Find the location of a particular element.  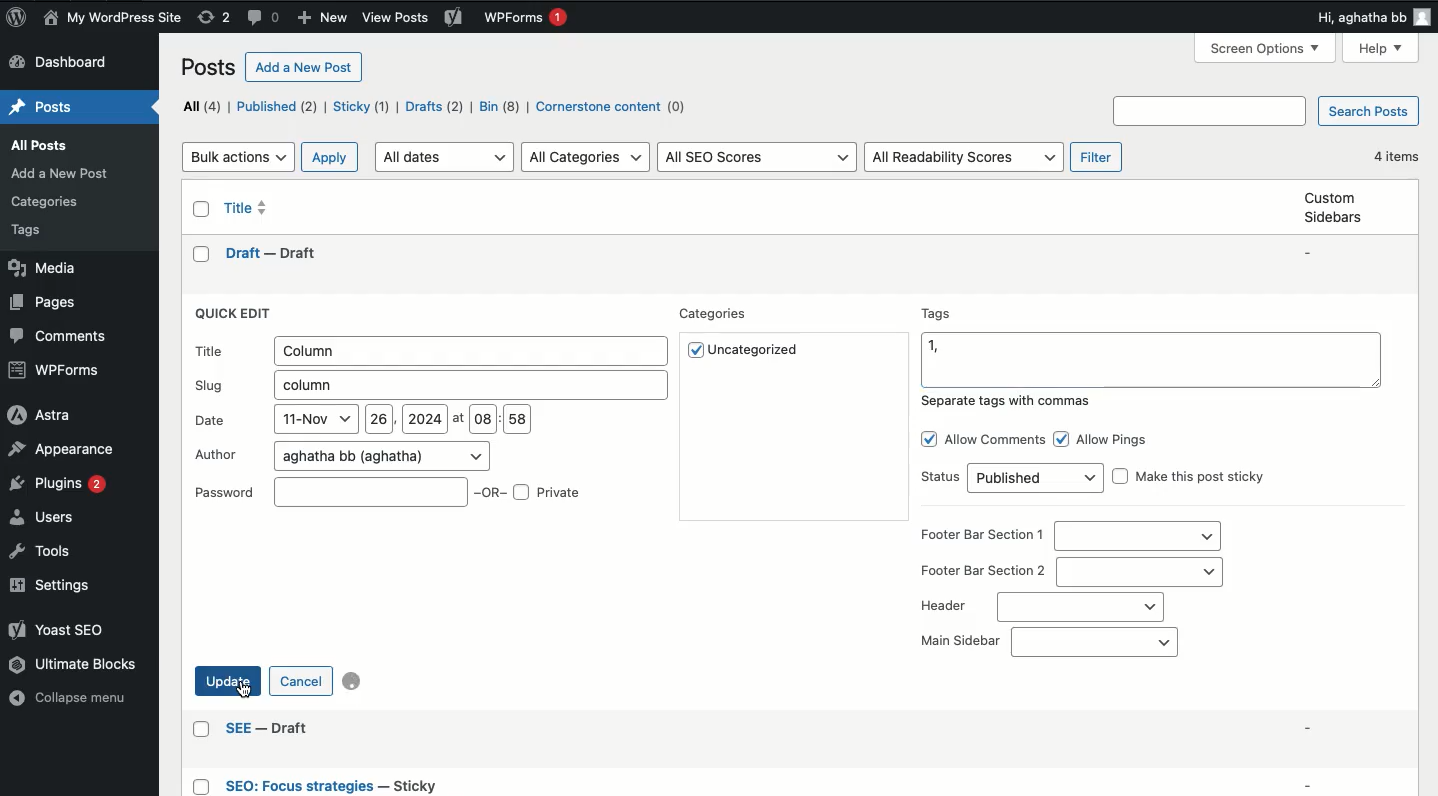

WPForms is located at coordinates (528, 19).